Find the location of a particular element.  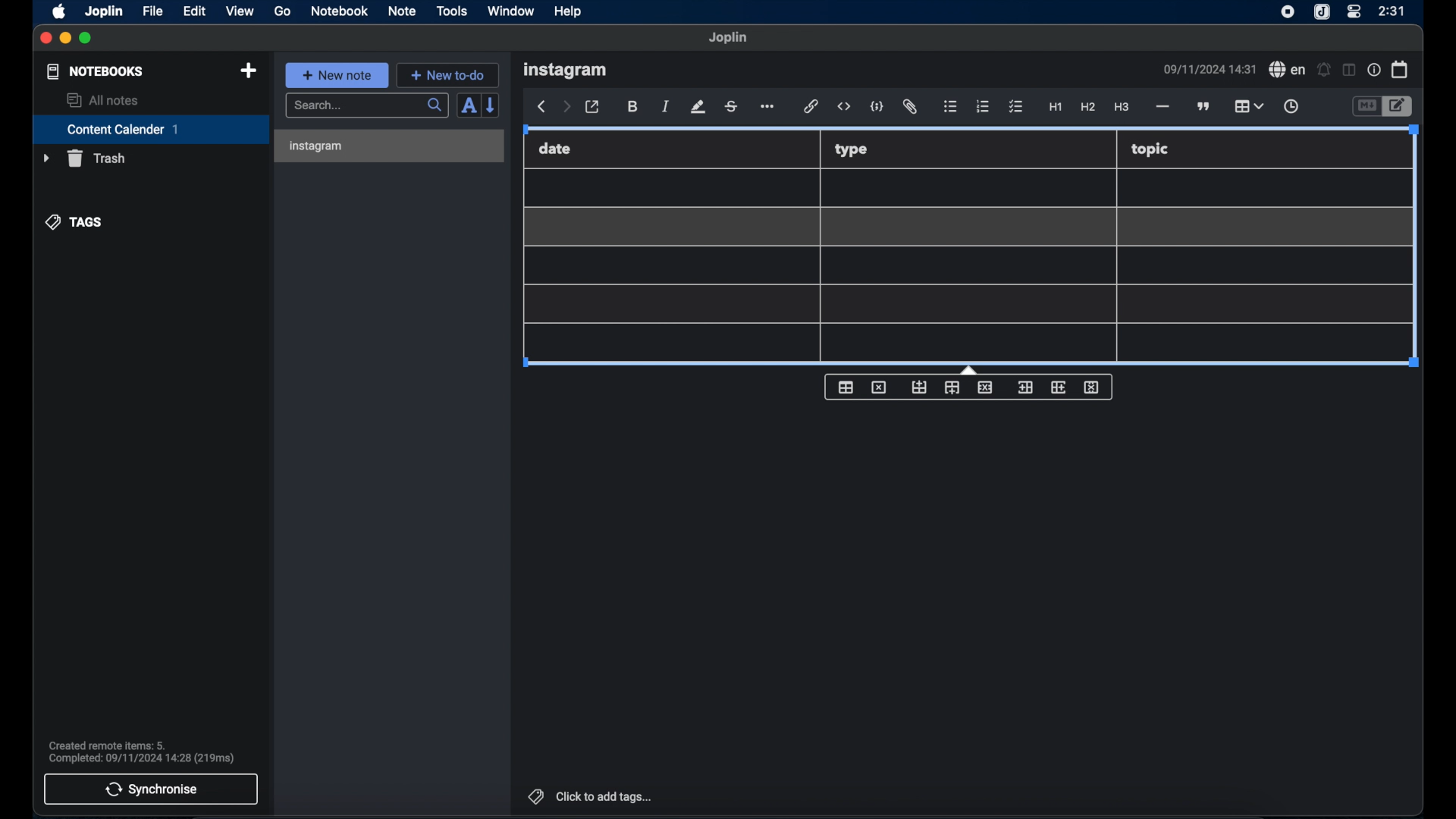

instagram is located at coordinates (318, 146).